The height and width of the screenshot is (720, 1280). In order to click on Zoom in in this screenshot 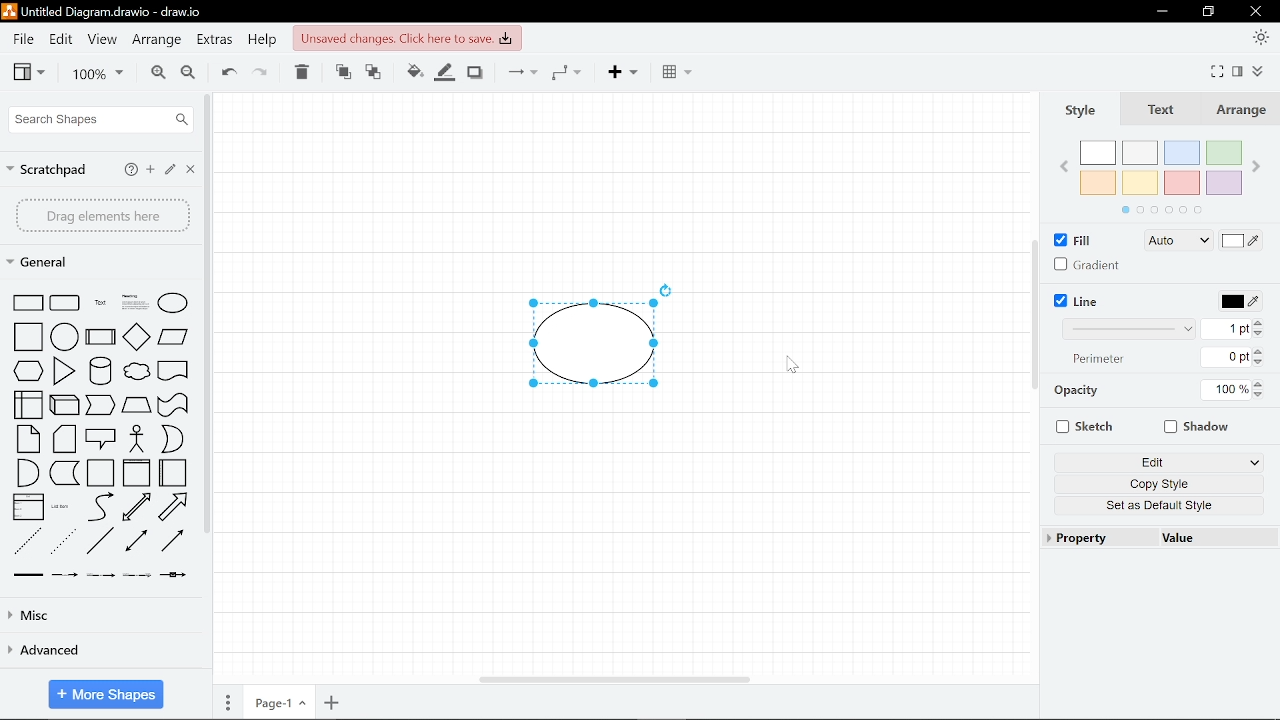, I will do `click(156, 73)`.